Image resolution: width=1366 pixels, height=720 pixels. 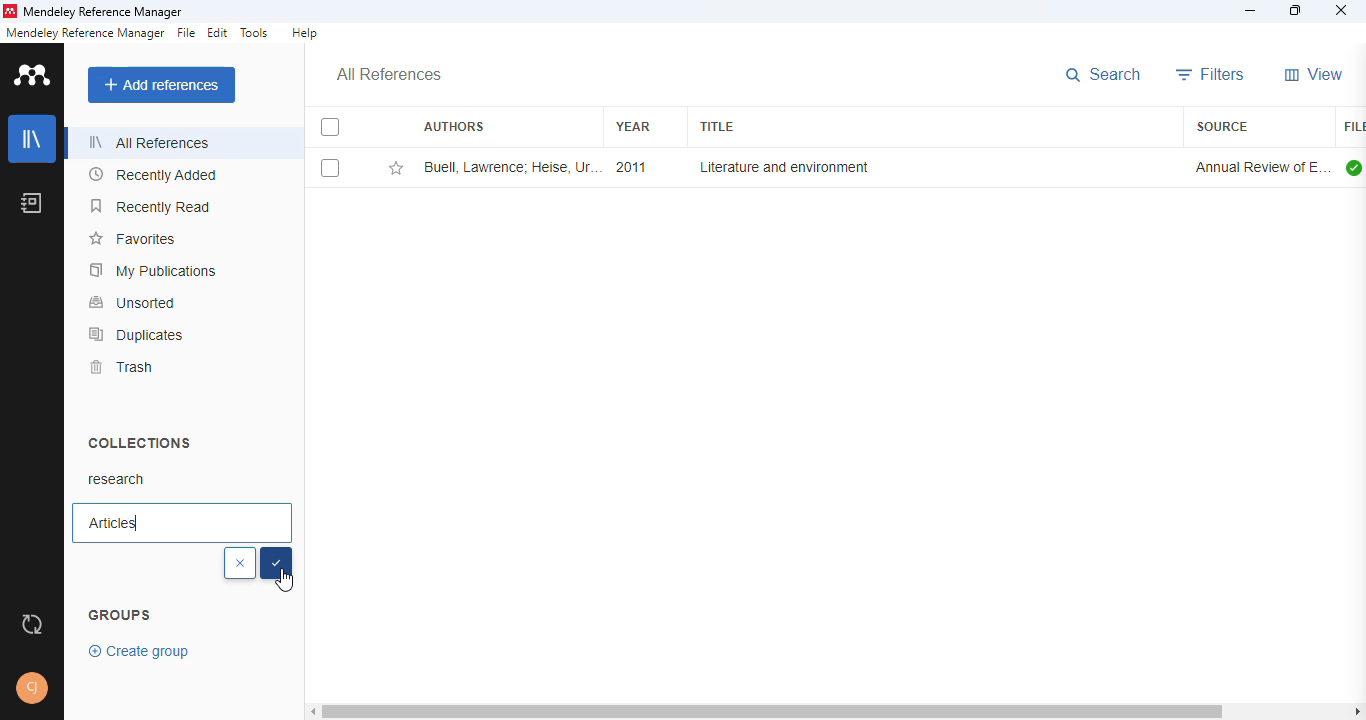 What do you see at coordinates (161, 85) in the screenshot?
I see `add references` at bounding box center [161, 85].